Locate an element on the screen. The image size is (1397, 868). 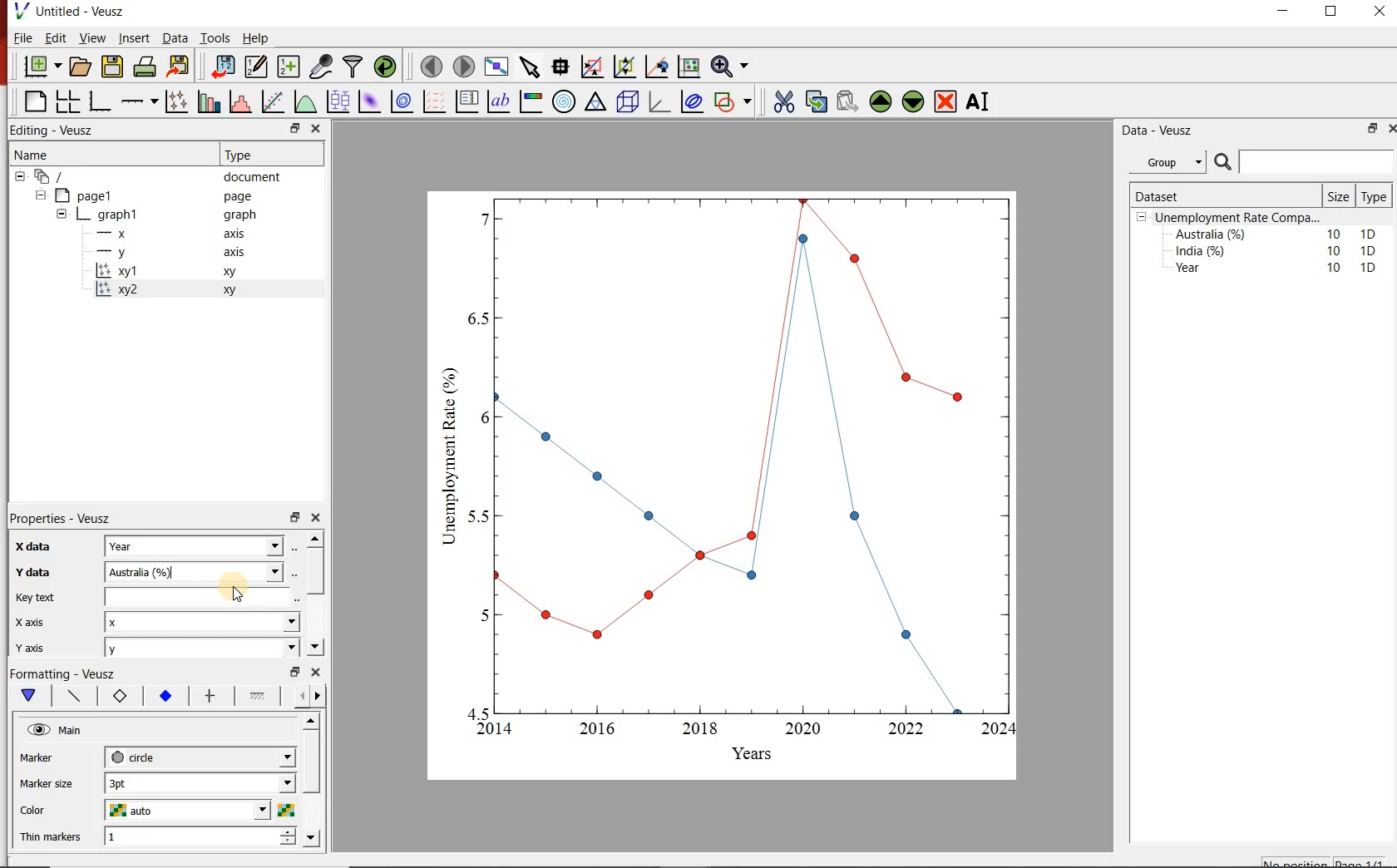
plot points with lines and errorbars is located at coordinates (176, 101).